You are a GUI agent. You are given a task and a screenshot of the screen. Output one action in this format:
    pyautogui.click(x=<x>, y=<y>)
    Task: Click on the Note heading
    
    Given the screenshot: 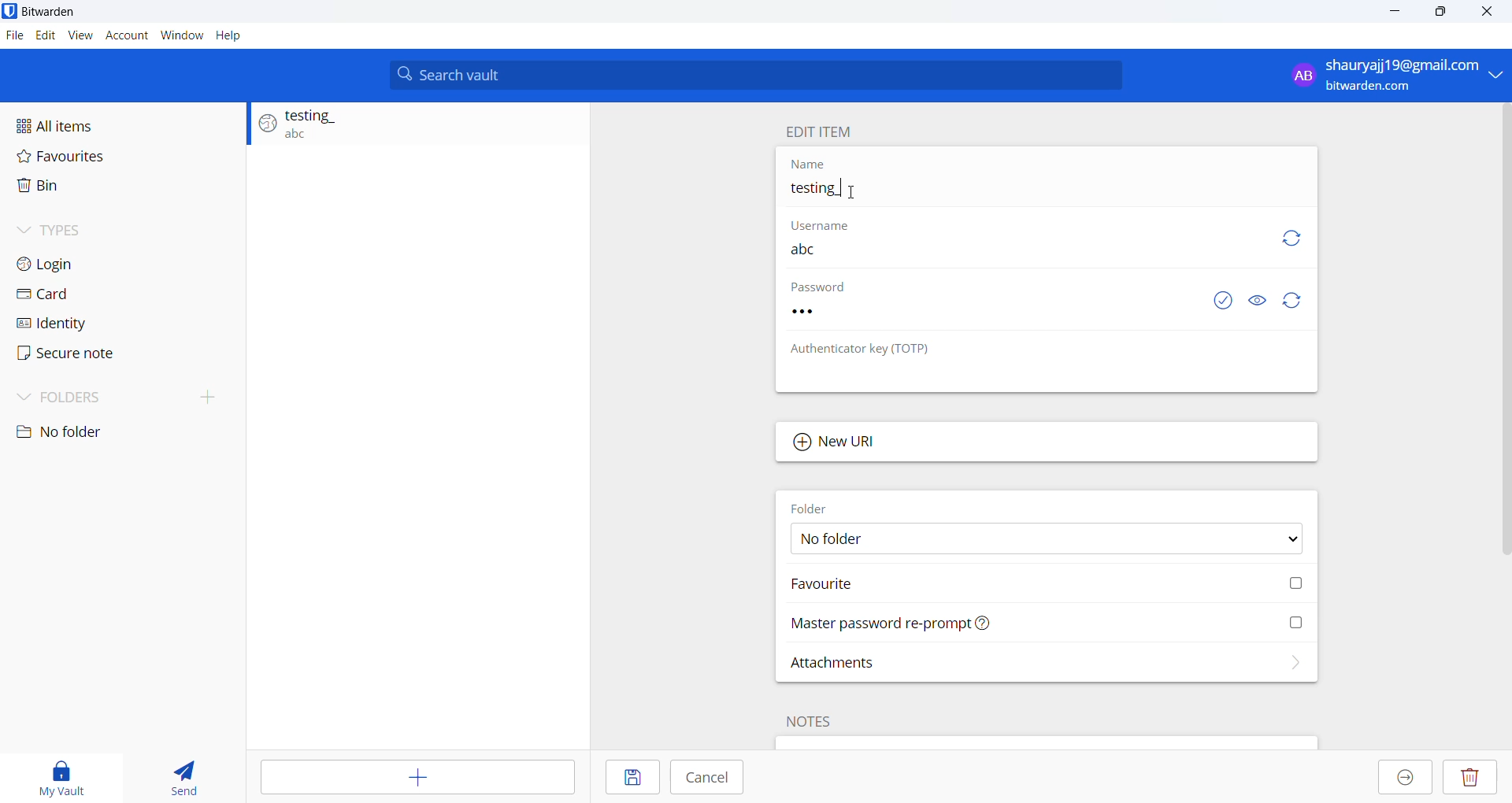 What is the action you would take?
    pyautogui.click(x=807, y=724)
    